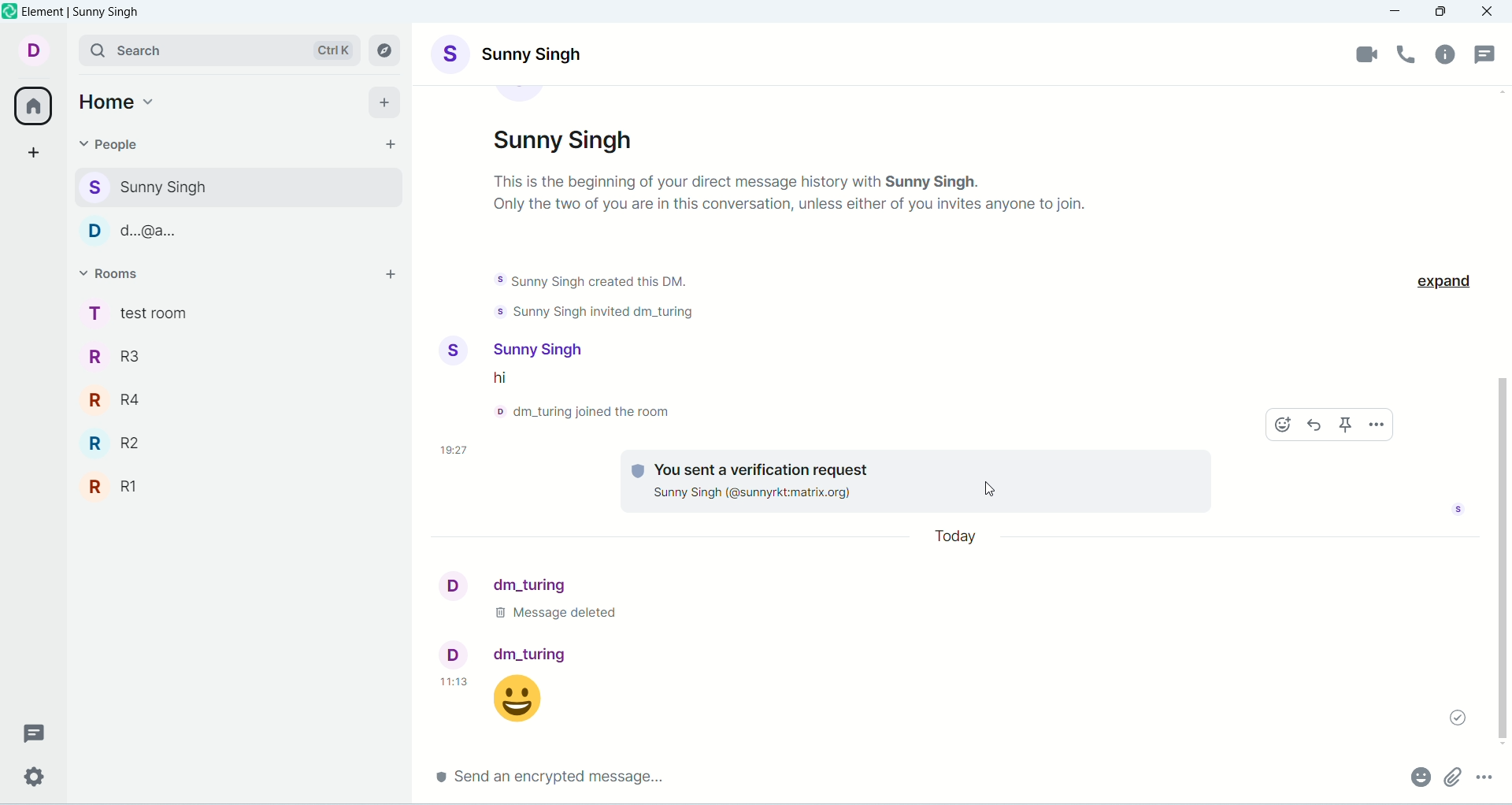 Image resolution: width=1512 pixels, height=805 pixels. I want to click on seen by sunny singh, so click(1459, 509).